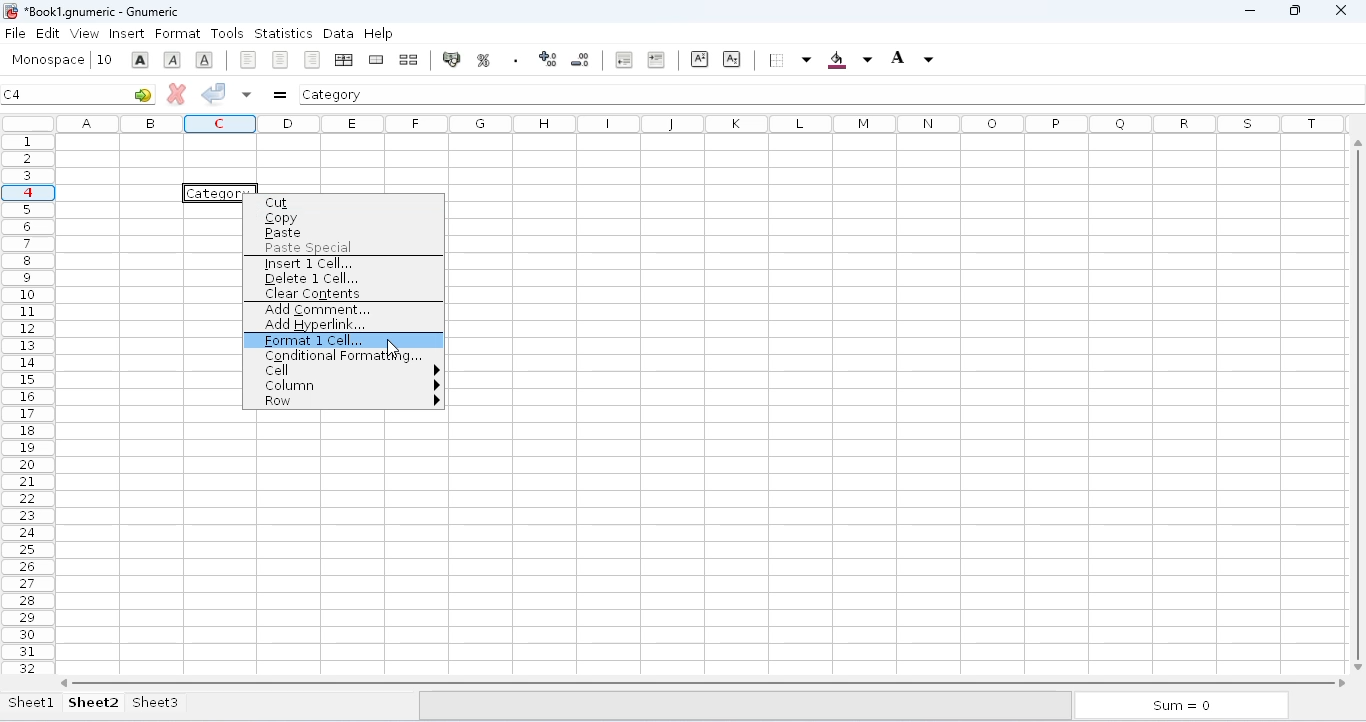 This screenshot has height=722, width=1366. Describe the element at coordinates (1340, 9) in the screenshot. I see `close` at that location.